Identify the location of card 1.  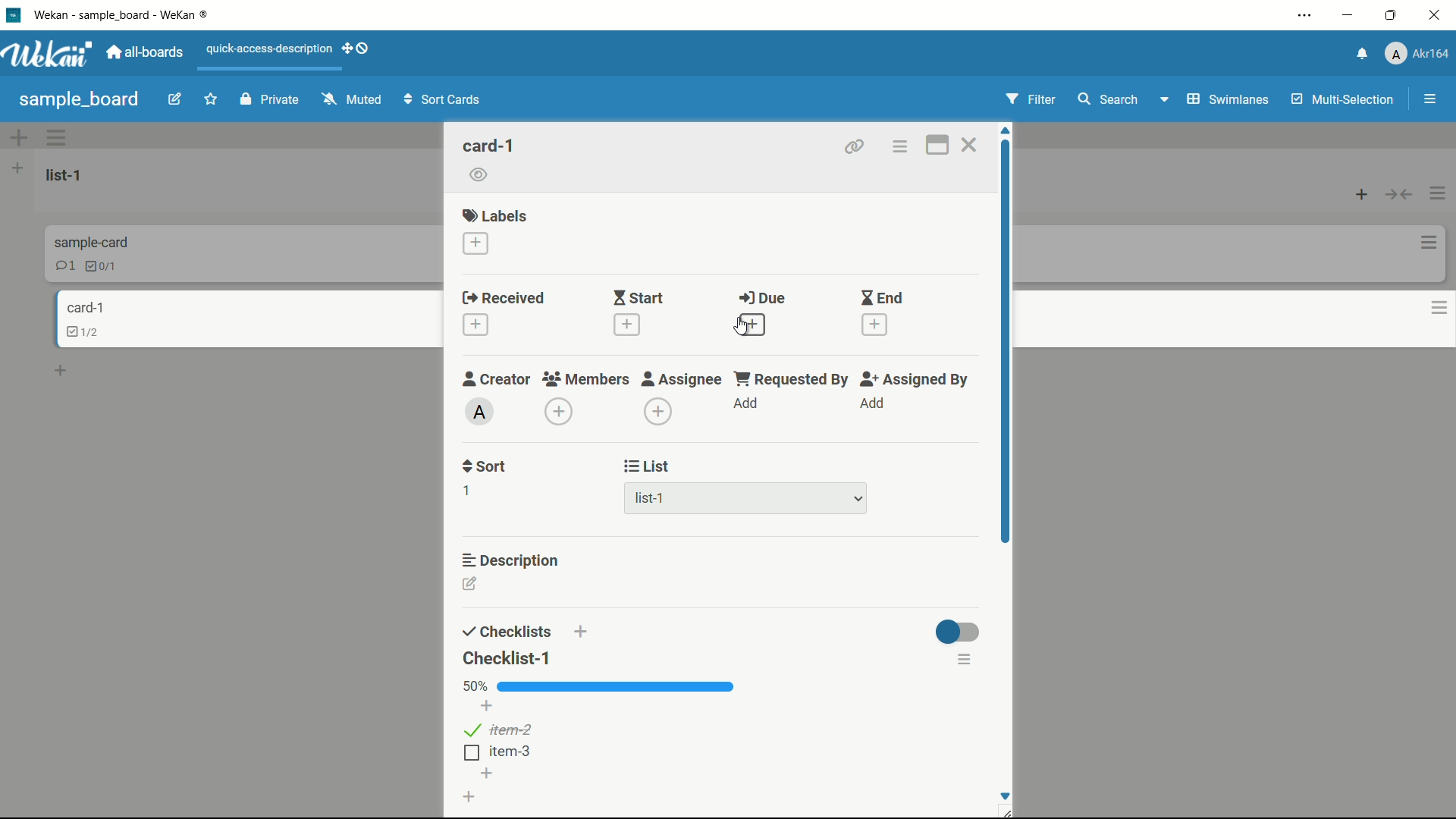
(83, 306).